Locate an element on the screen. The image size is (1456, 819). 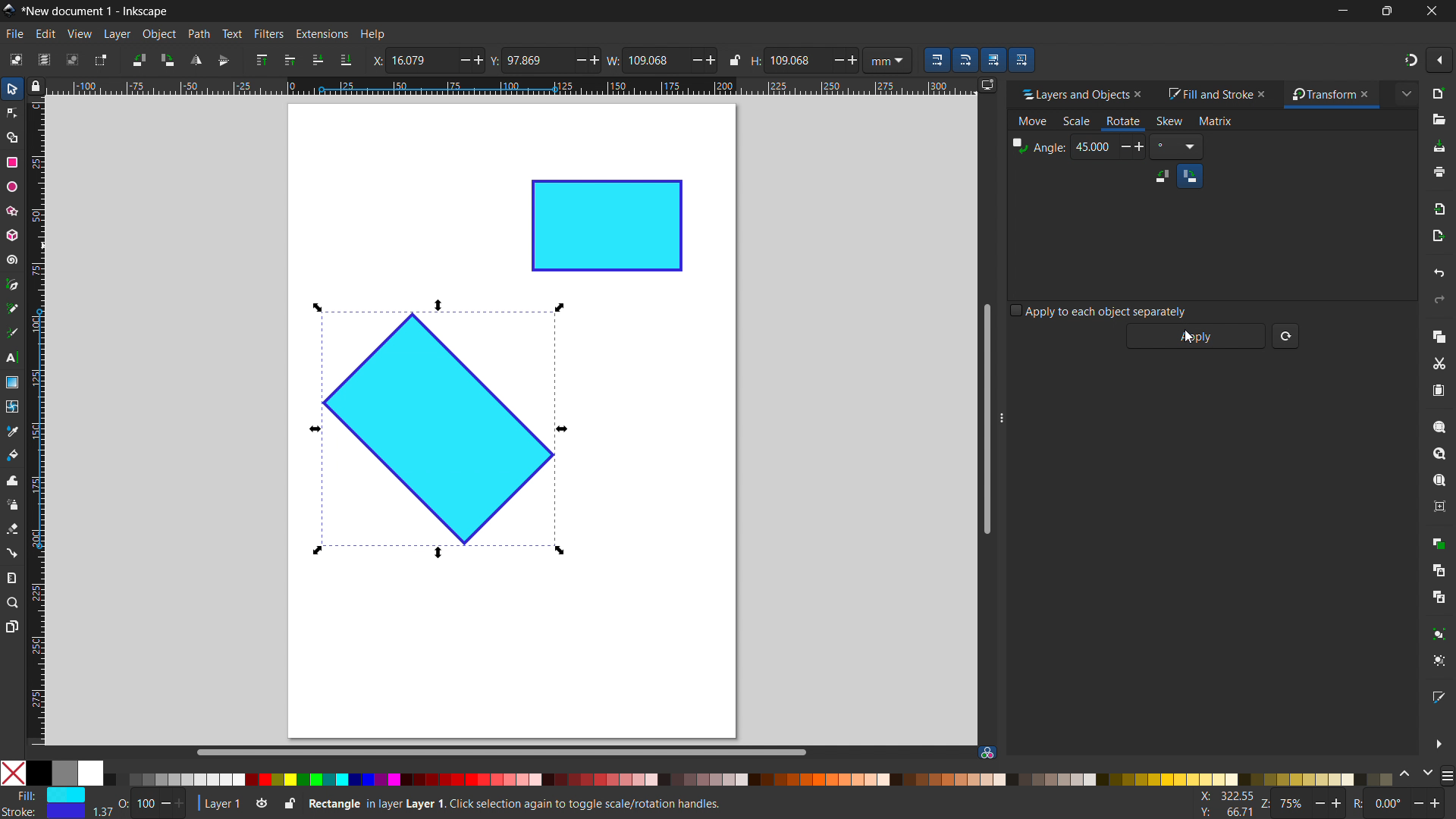
lower to bottom is located at coordinates (346, 61).